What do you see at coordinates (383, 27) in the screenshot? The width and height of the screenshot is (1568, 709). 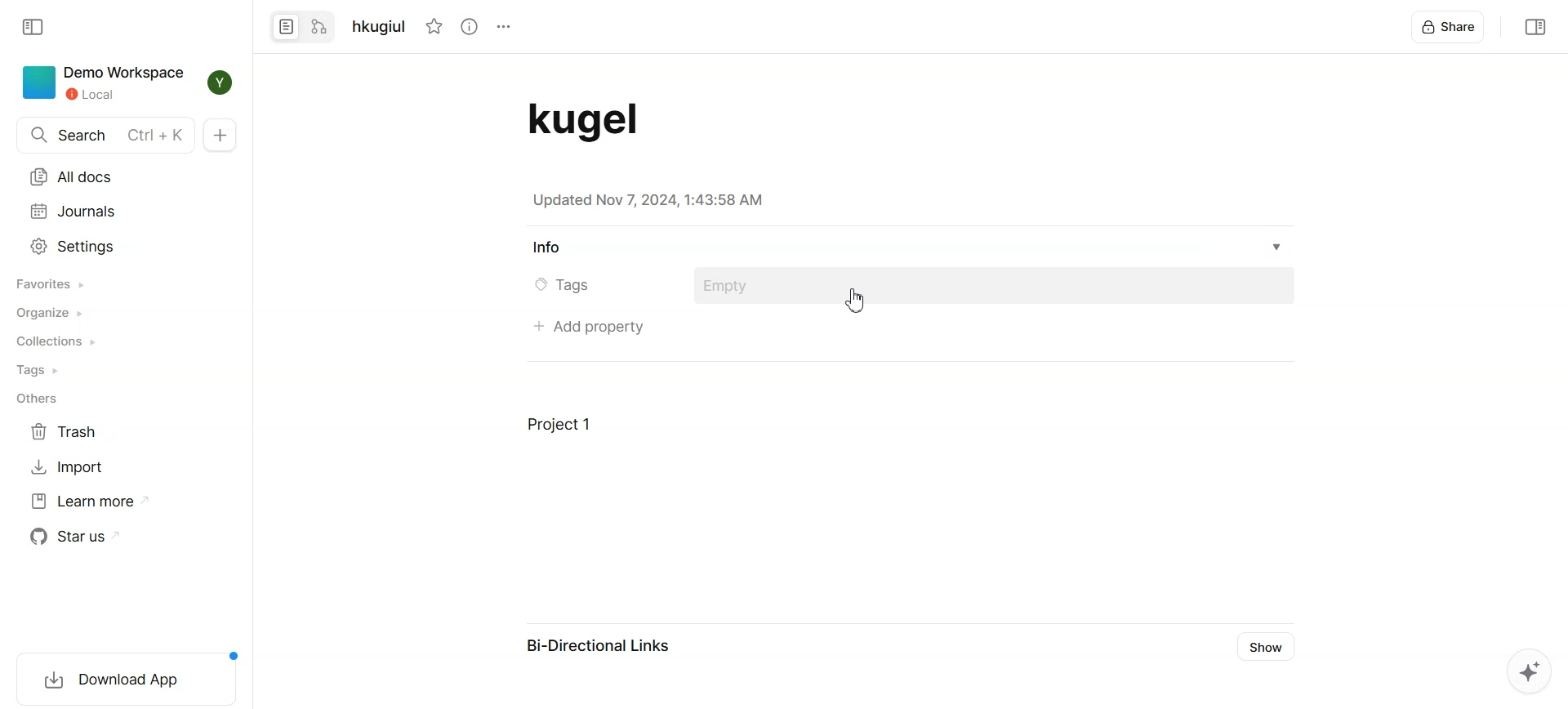 I see `hkugiul` at bounding box center [383, 27].